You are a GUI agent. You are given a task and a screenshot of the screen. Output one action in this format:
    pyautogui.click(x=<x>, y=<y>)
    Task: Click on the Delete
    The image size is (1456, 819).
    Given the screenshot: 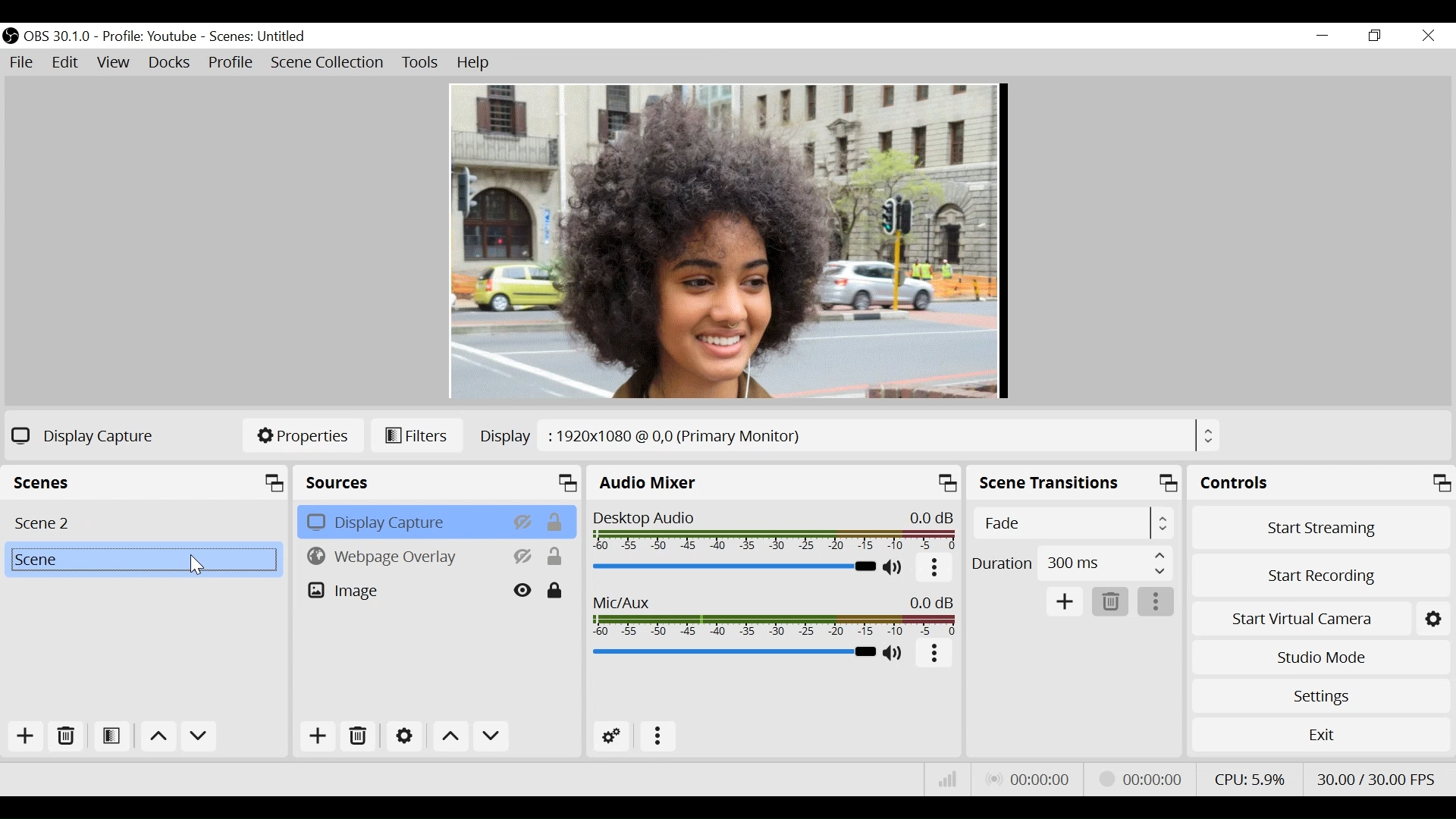 What is the action you would take?
    pyautogui.click(x=358, y=734)
    